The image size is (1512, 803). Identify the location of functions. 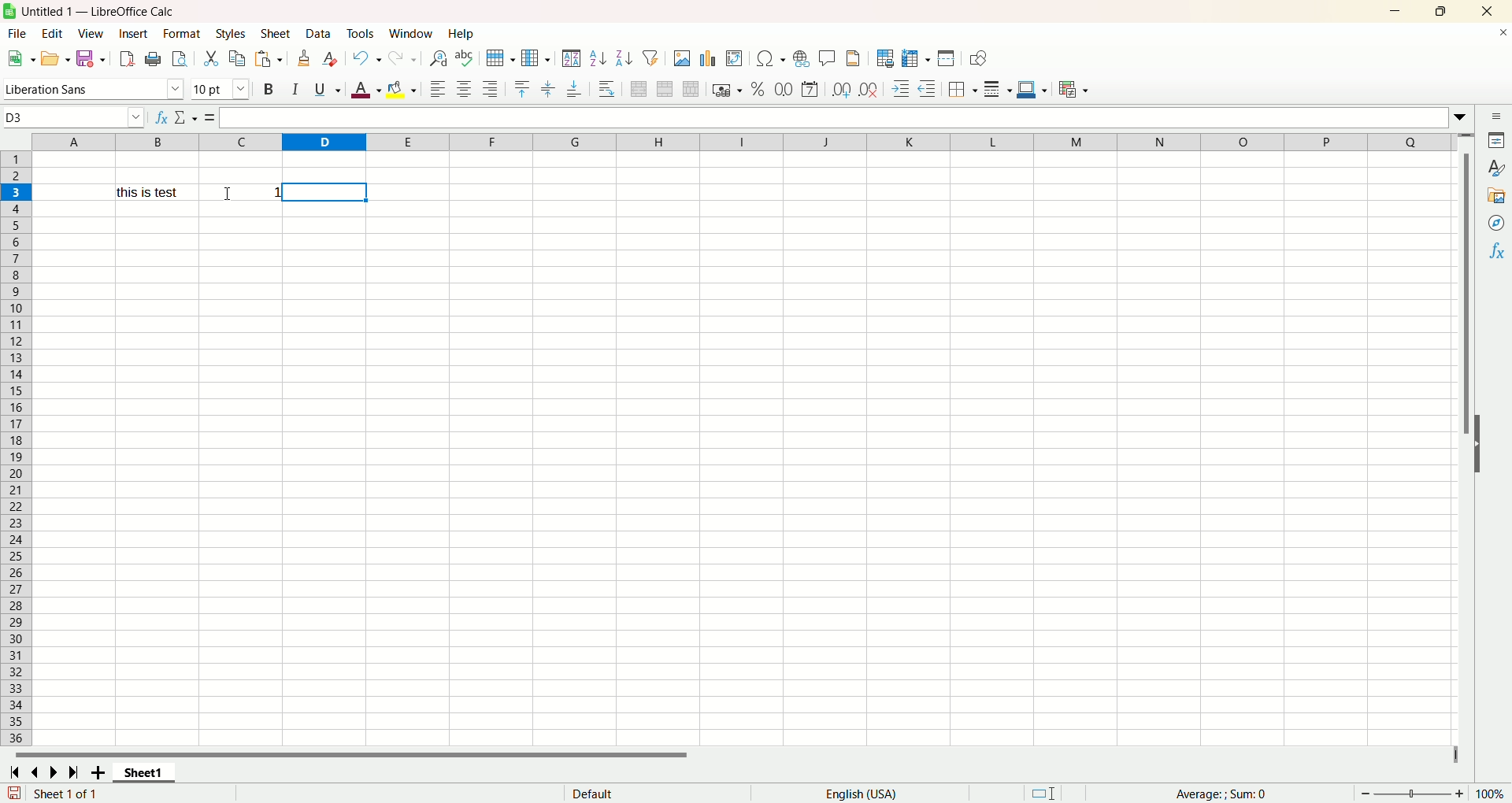
(1214, 792).